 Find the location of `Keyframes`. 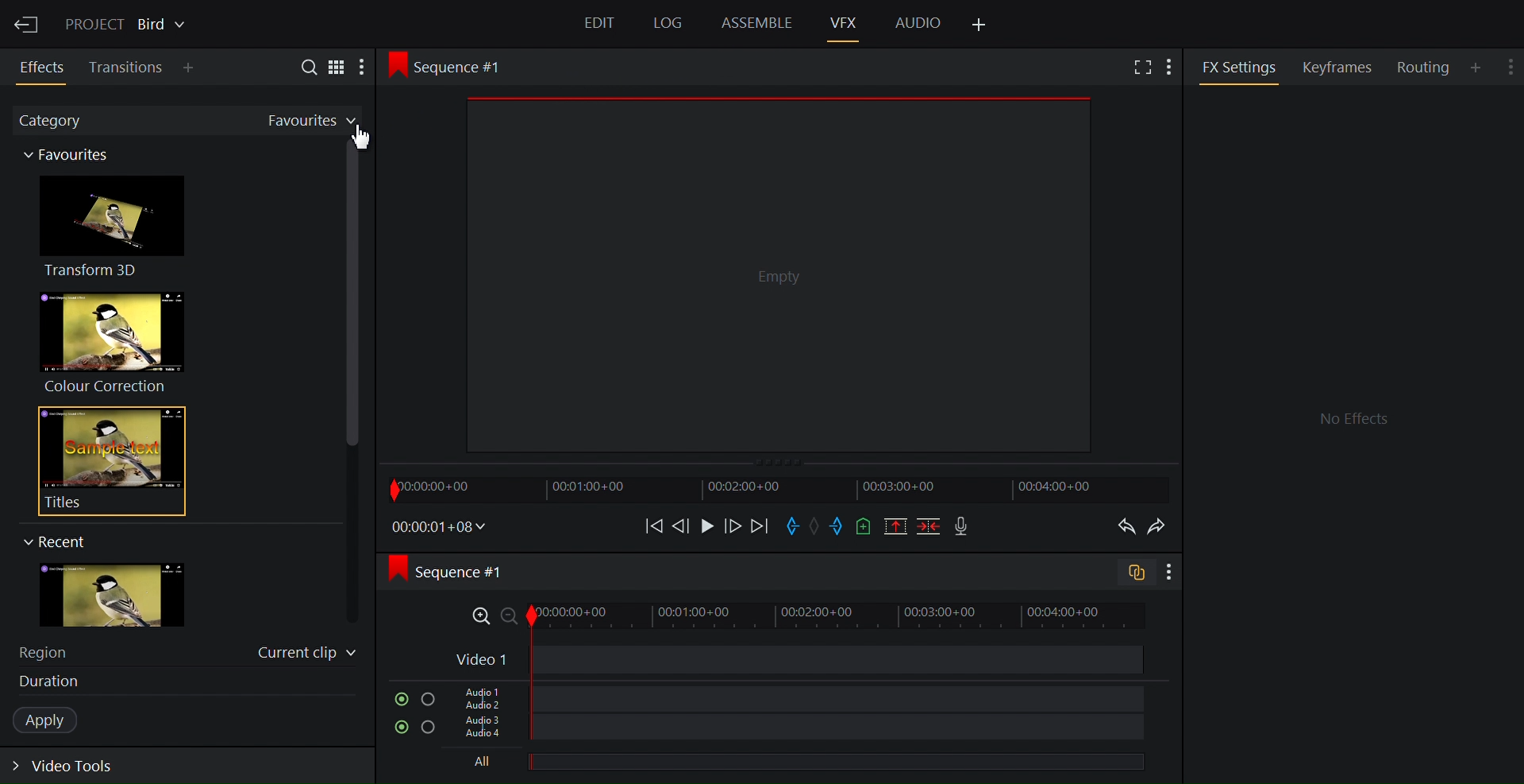

Keyframes is located at coordinates (1344, 67).